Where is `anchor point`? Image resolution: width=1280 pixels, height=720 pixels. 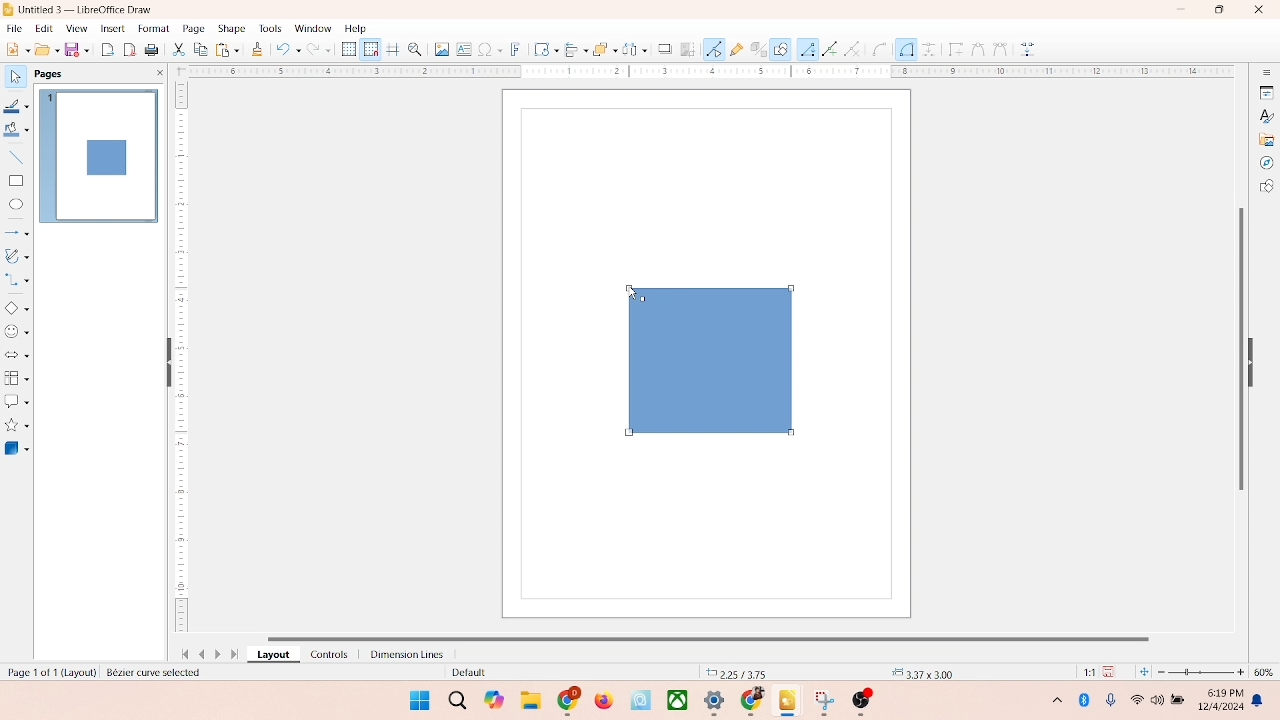 anchor point is located at coordinates (920, 671).